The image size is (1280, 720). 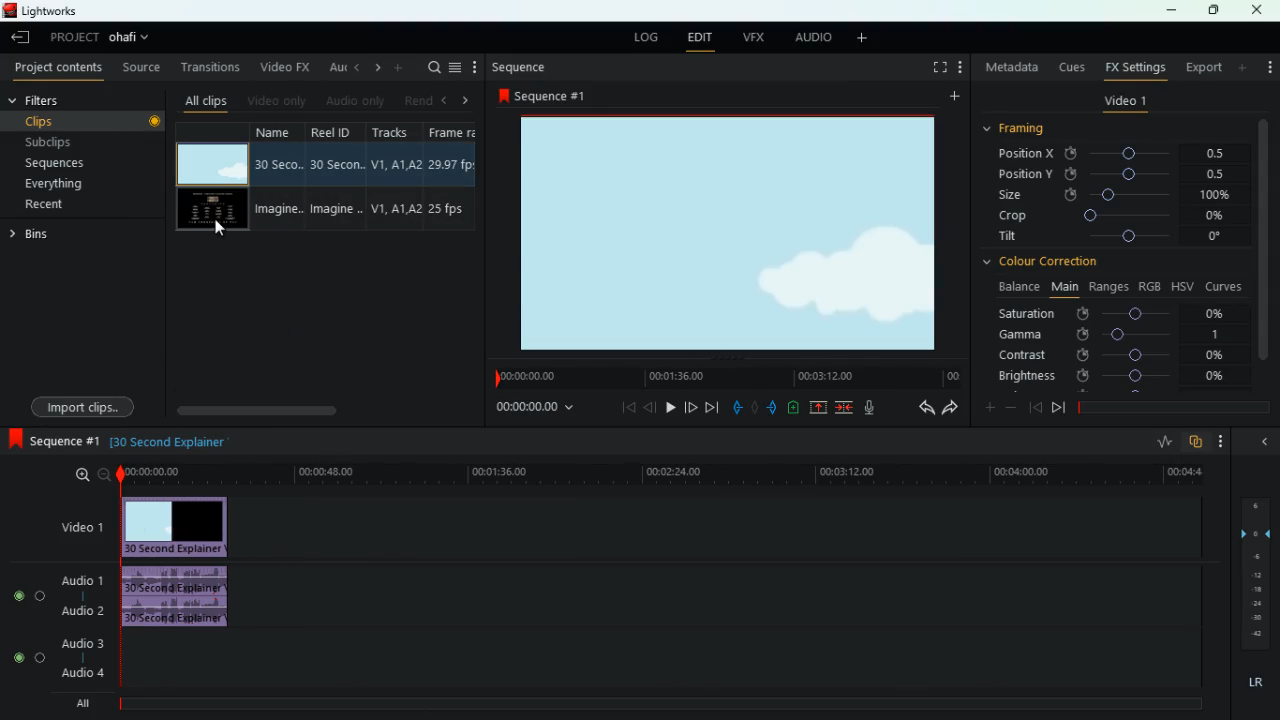 What do you see at coordinates (794, 408) in the screenshot?
I see `charge` at bounding box center [794, 408].